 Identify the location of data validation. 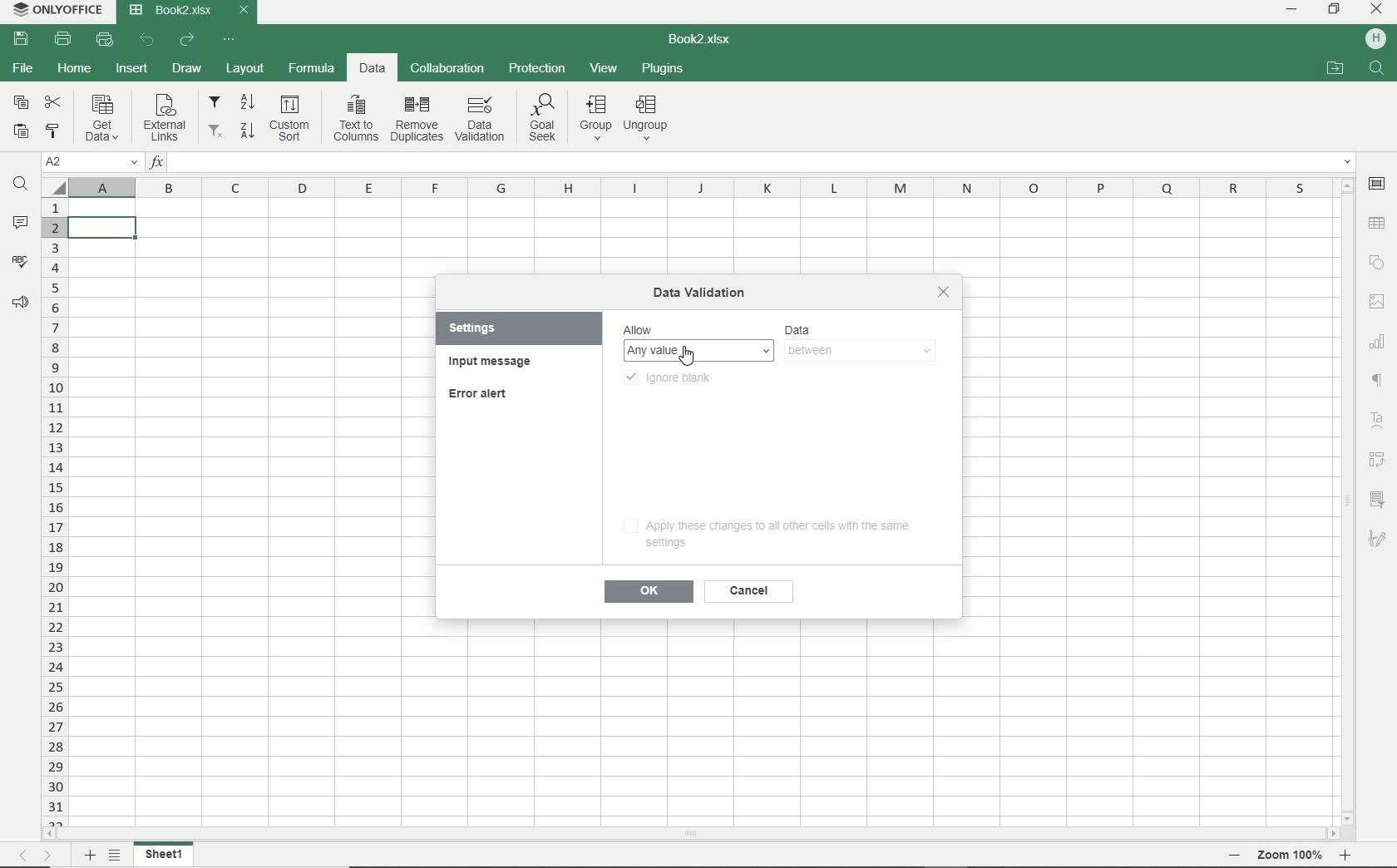
(480, 117).